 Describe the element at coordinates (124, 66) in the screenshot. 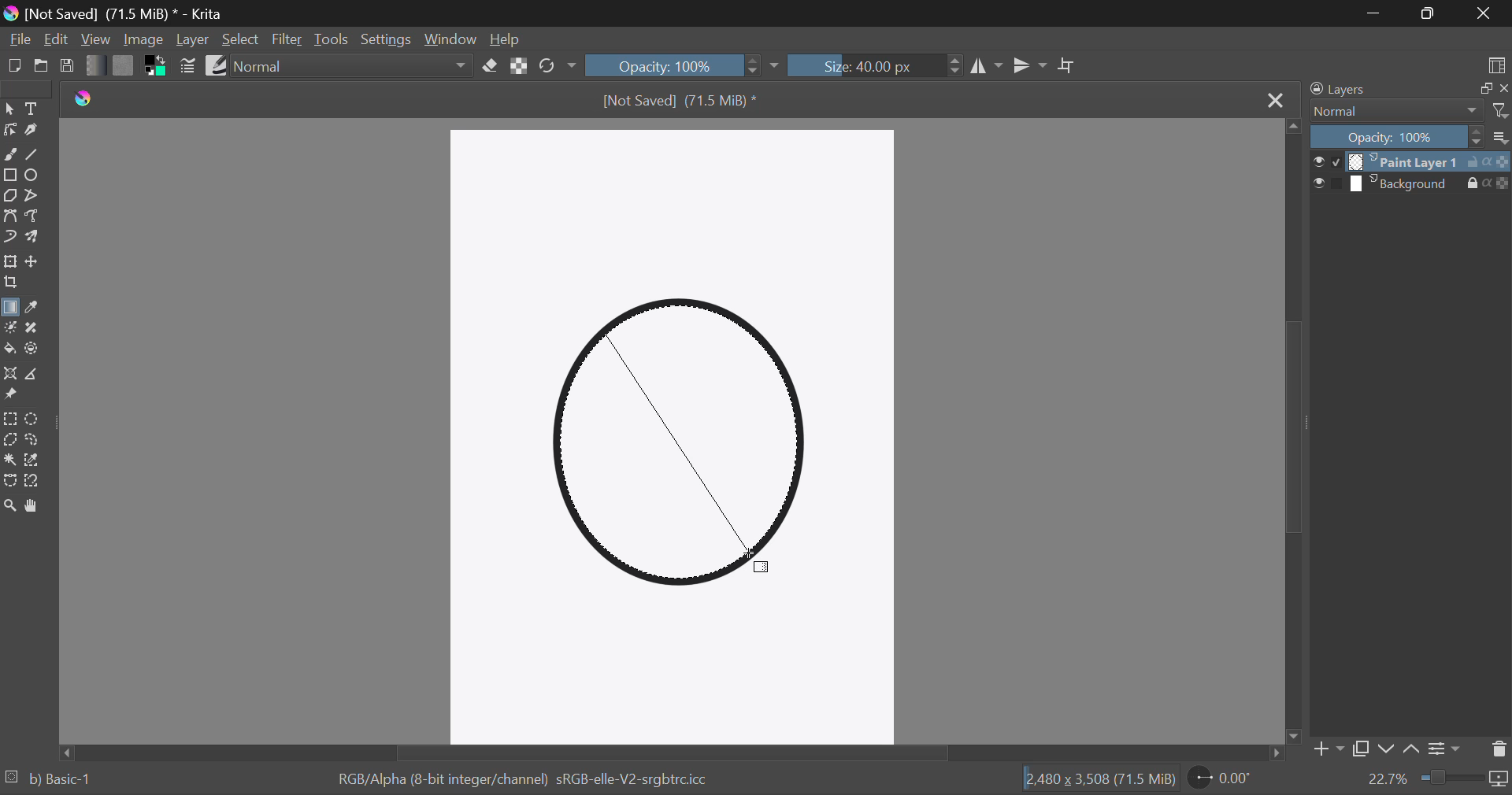

I see `Pattern` at that location.